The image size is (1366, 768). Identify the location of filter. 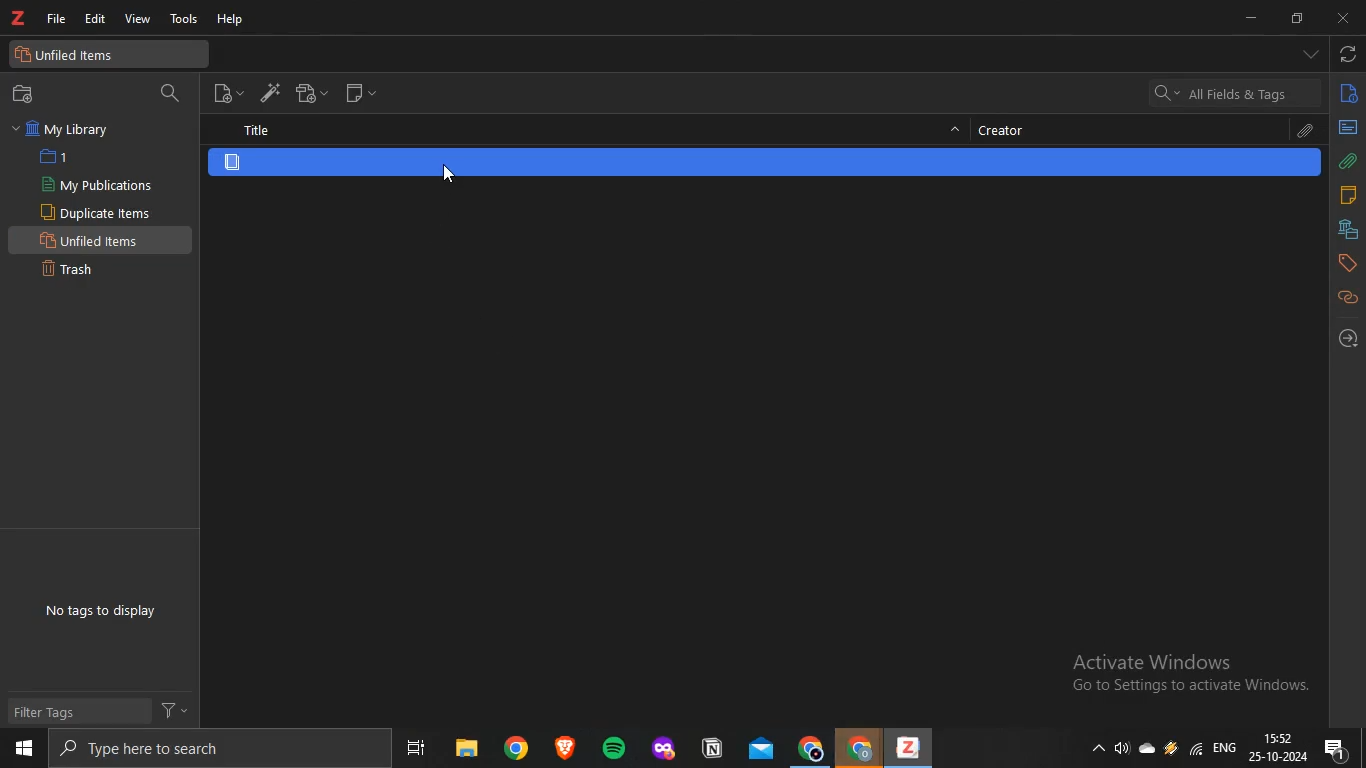
(173, 708).